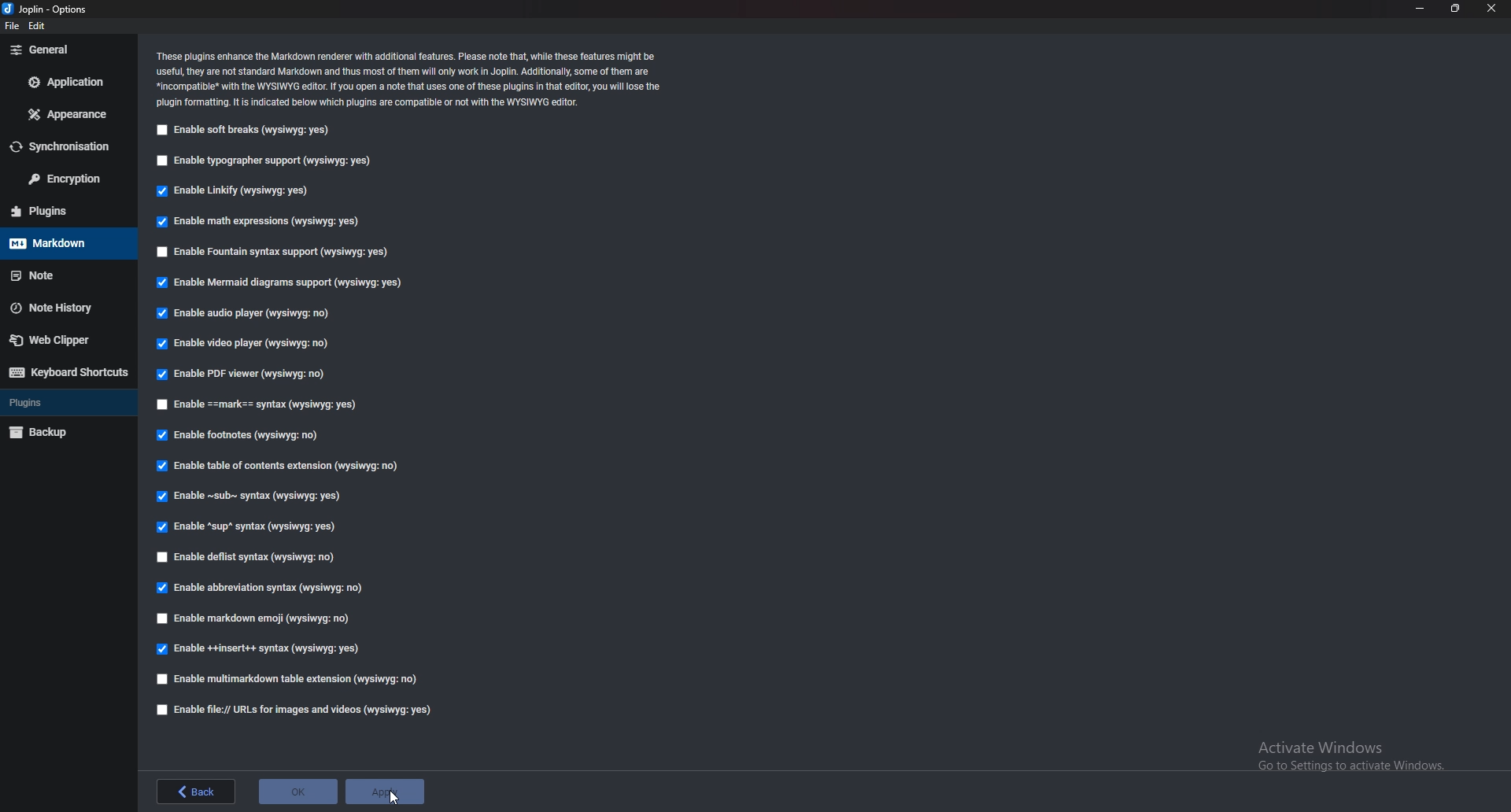 The height and width of the screenshot is (812, 1511). Describe the element at coordinates (72, 82) in the screenshot. I see `Application` at that location.